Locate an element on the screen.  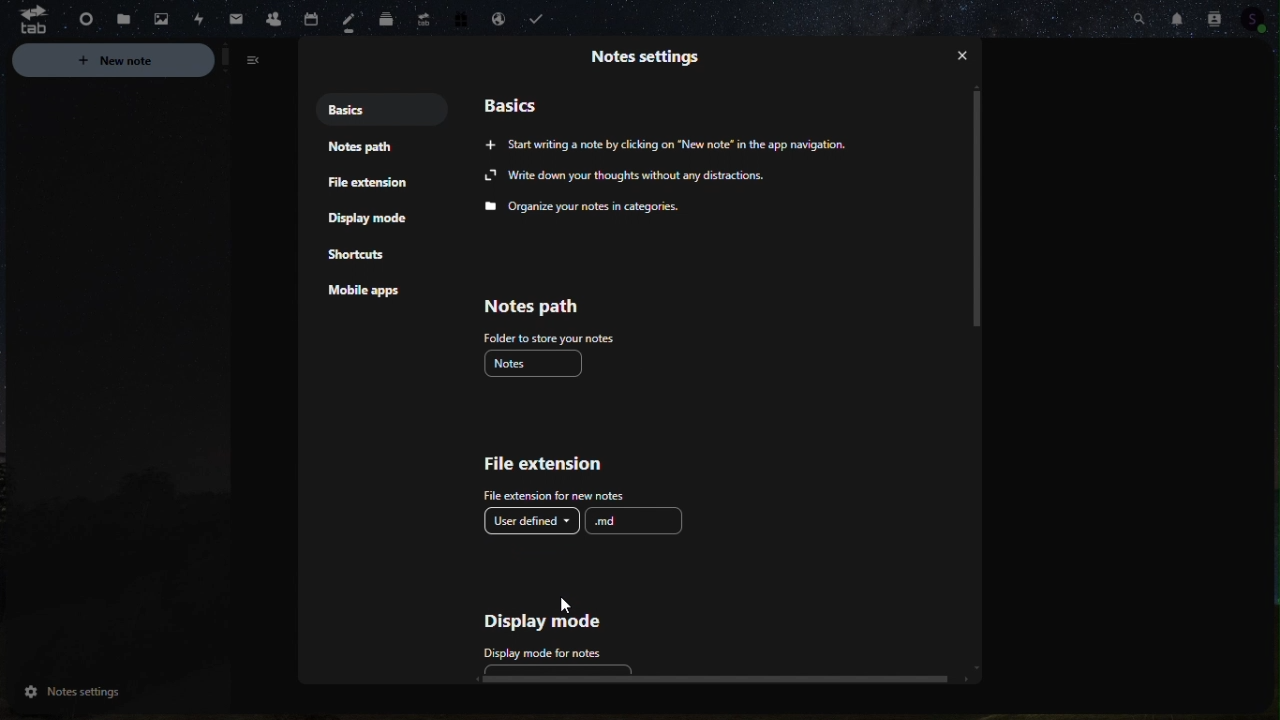
Notes is located at coordinates (537, 365).